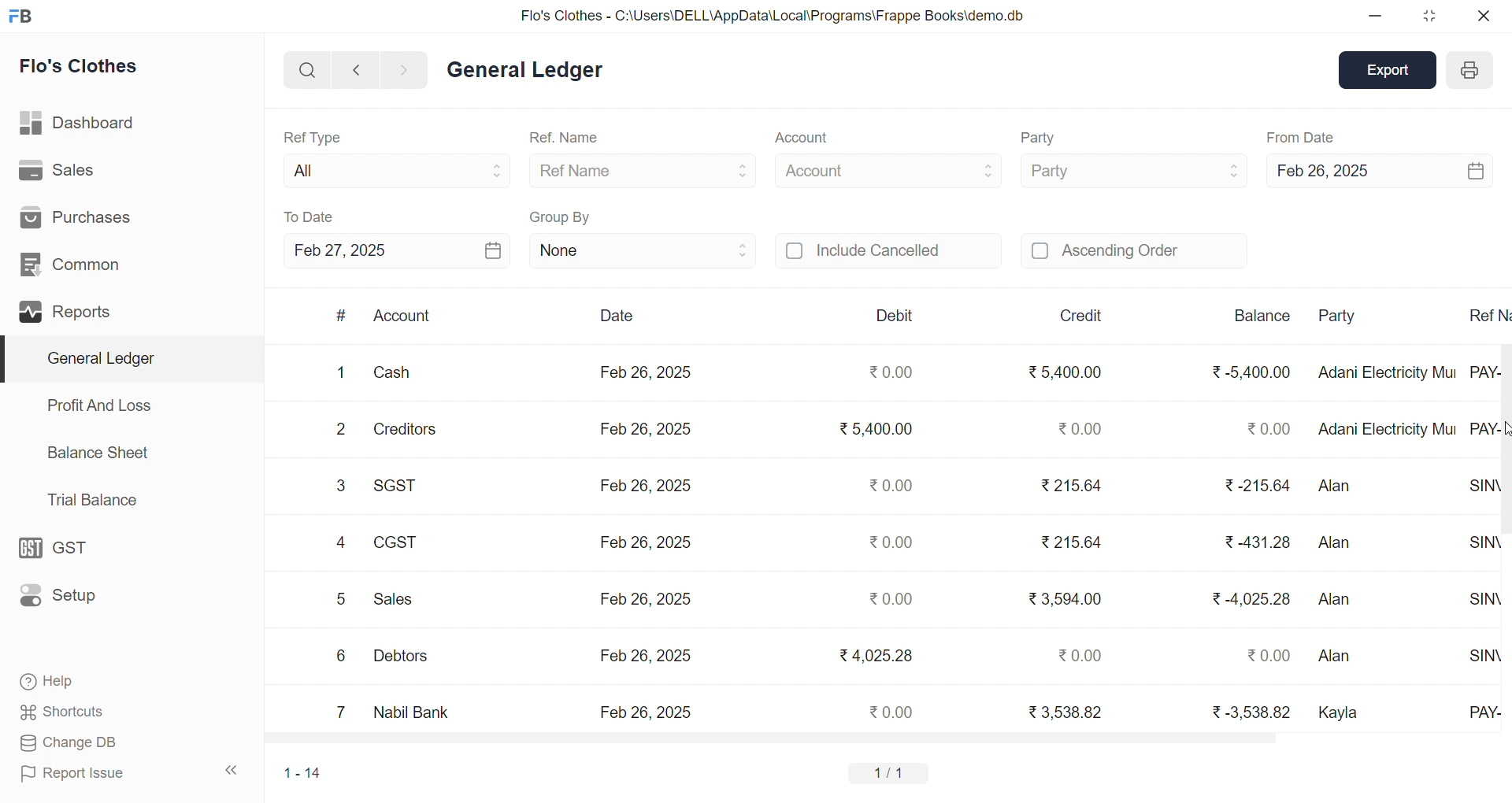 The width and height of the screenshot is (1512, 803). Describe the element at coordinates (1132, 169) in the screenshot. I see `Party` at that location.